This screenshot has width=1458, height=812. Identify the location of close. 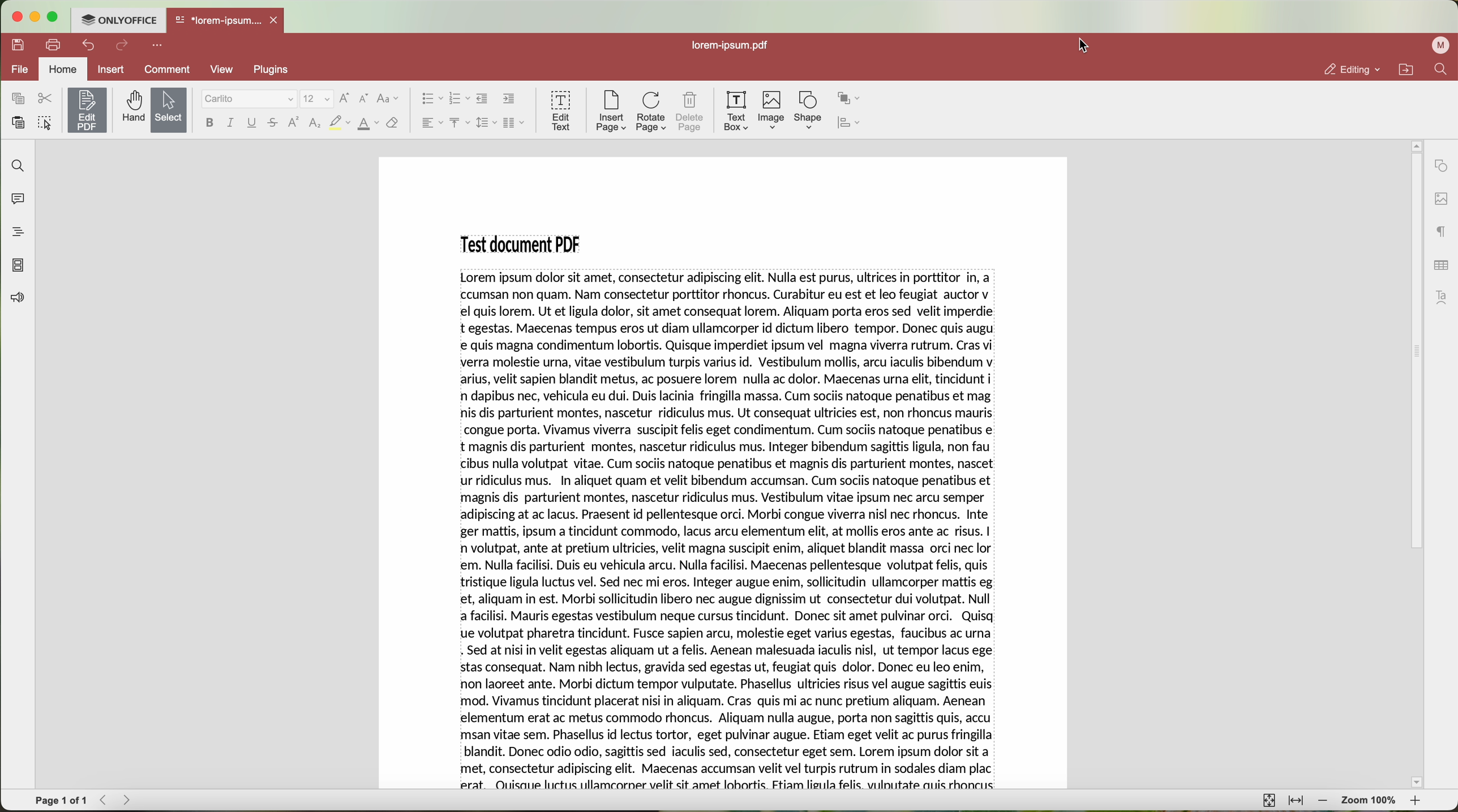
(277, 20).